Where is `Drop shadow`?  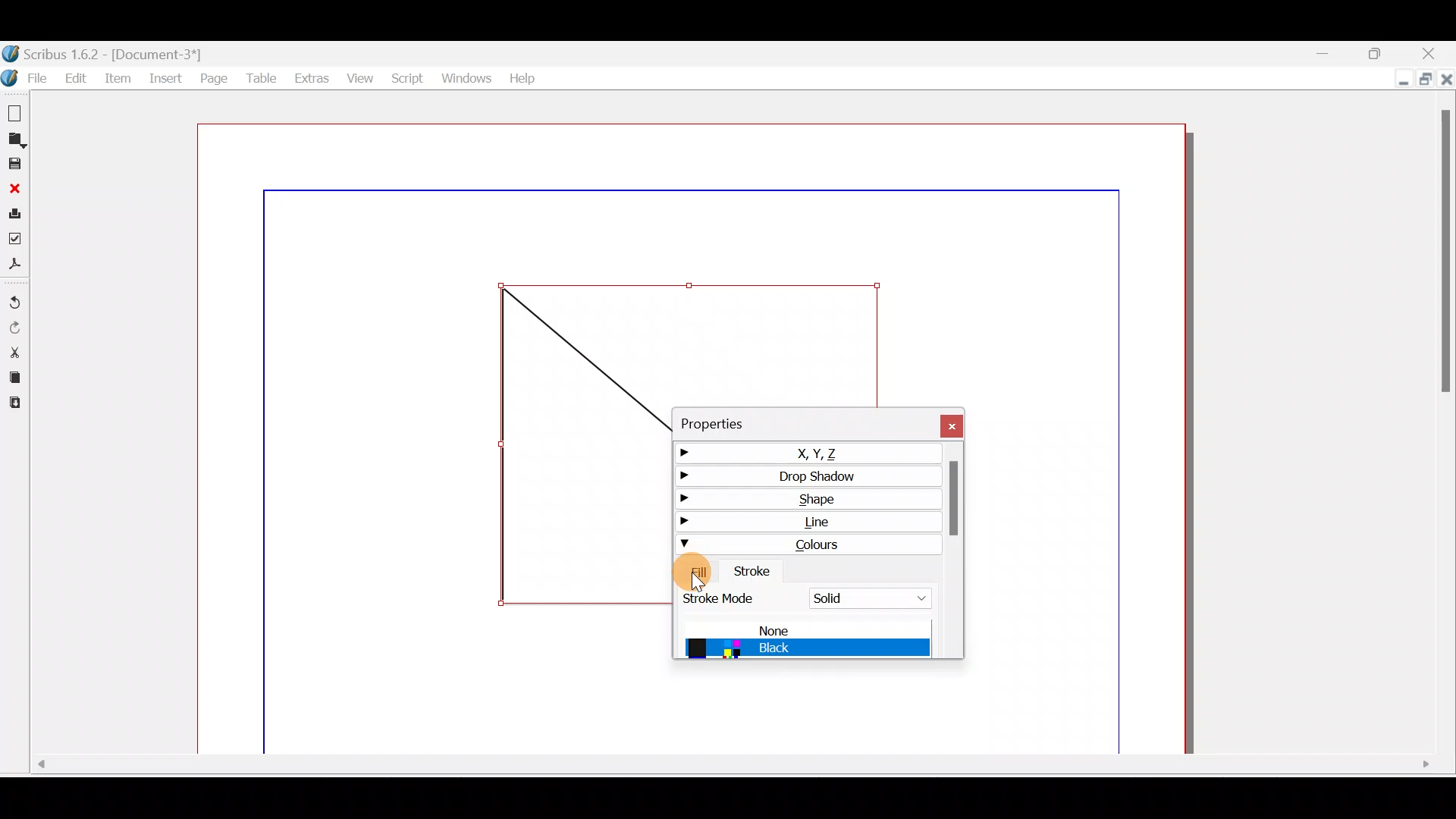
Drop shadow is located at coordinates (803, 475).